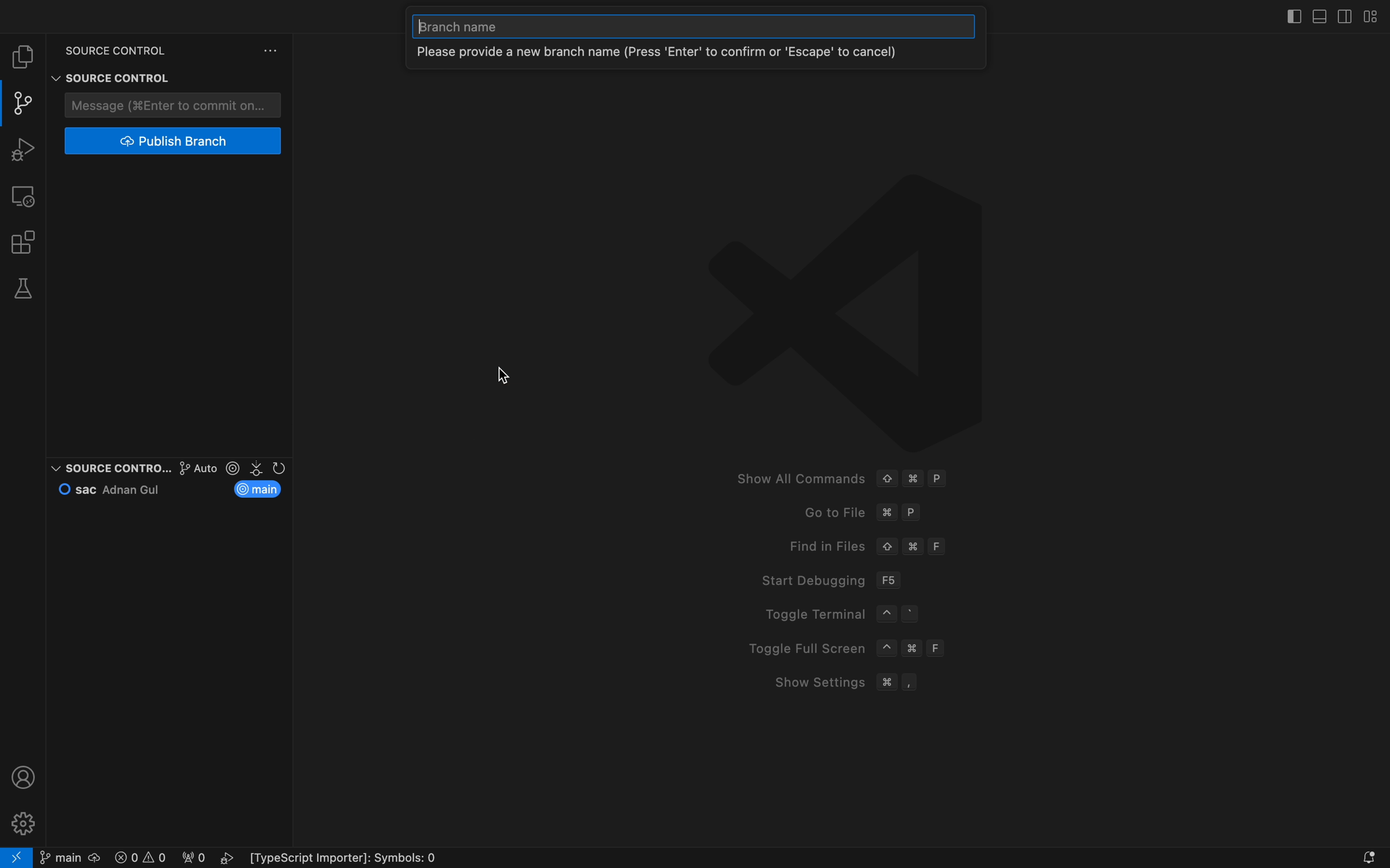  What do you see at coordinates (173, 104) in the screenshot?
I see `commit message` at bounding box center [173, 104].